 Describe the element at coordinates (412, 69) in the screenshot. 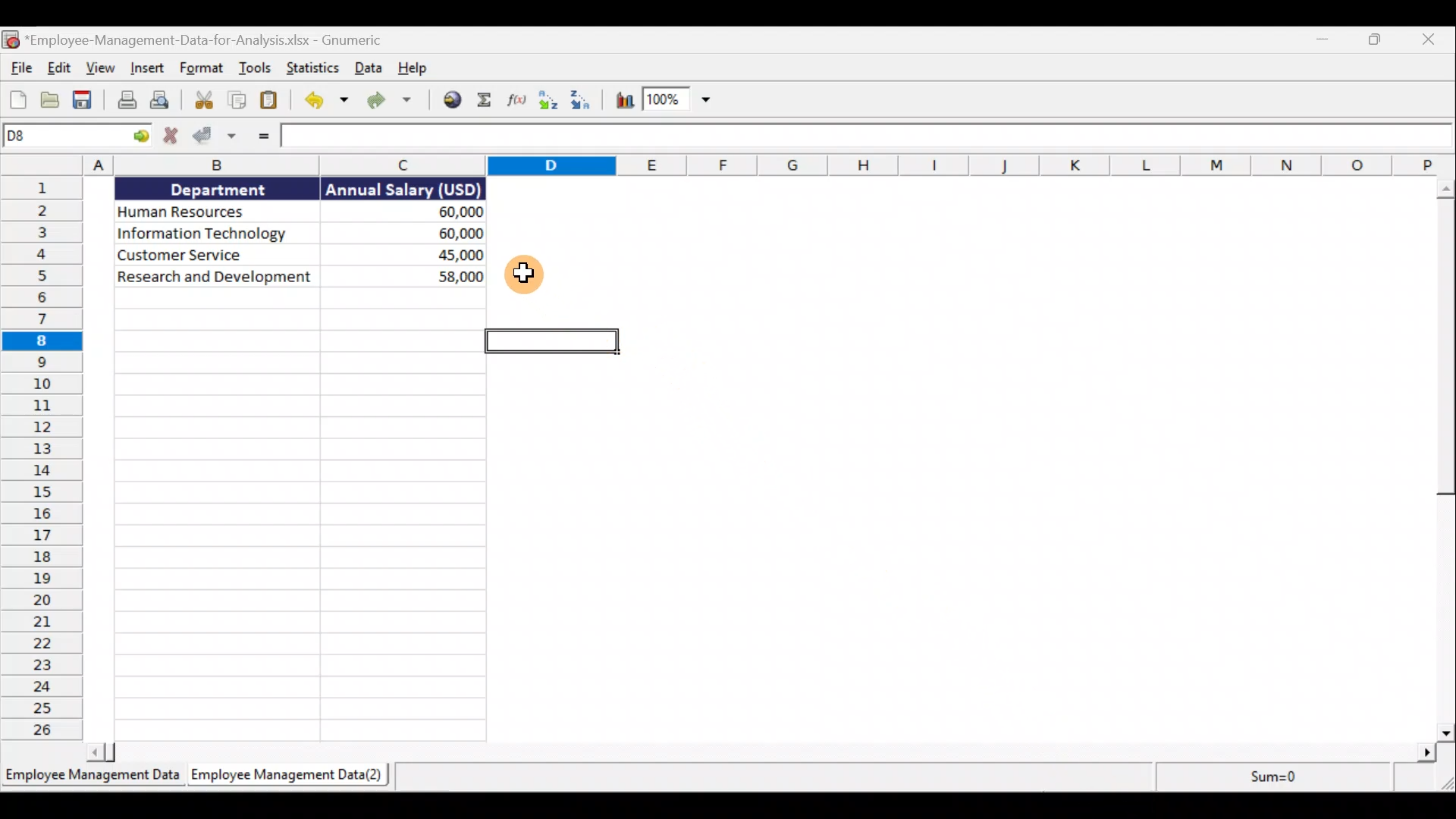

I see `Help` at that location.